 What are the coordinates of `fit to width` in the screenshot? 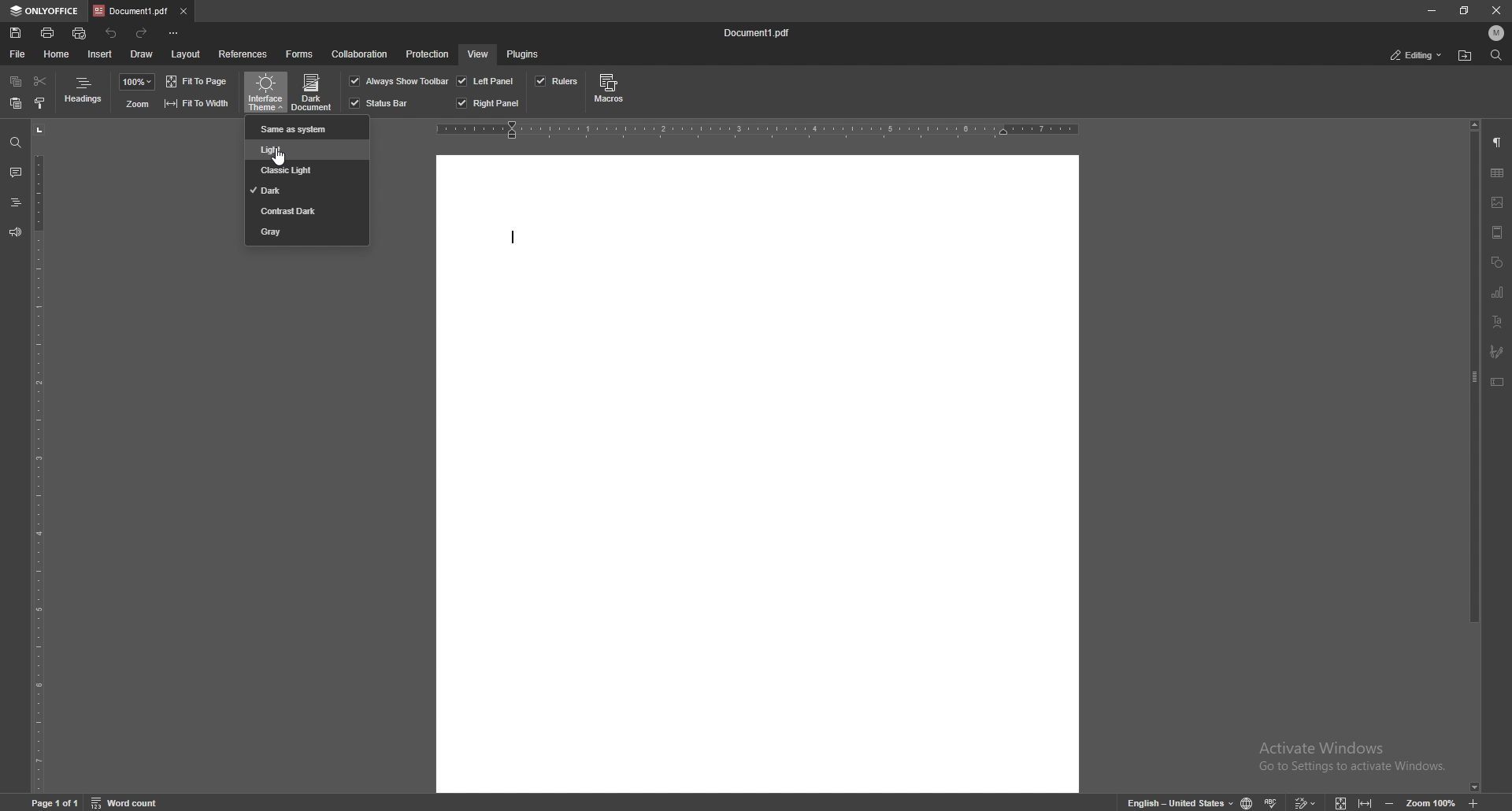 It's located at (1366, 802).